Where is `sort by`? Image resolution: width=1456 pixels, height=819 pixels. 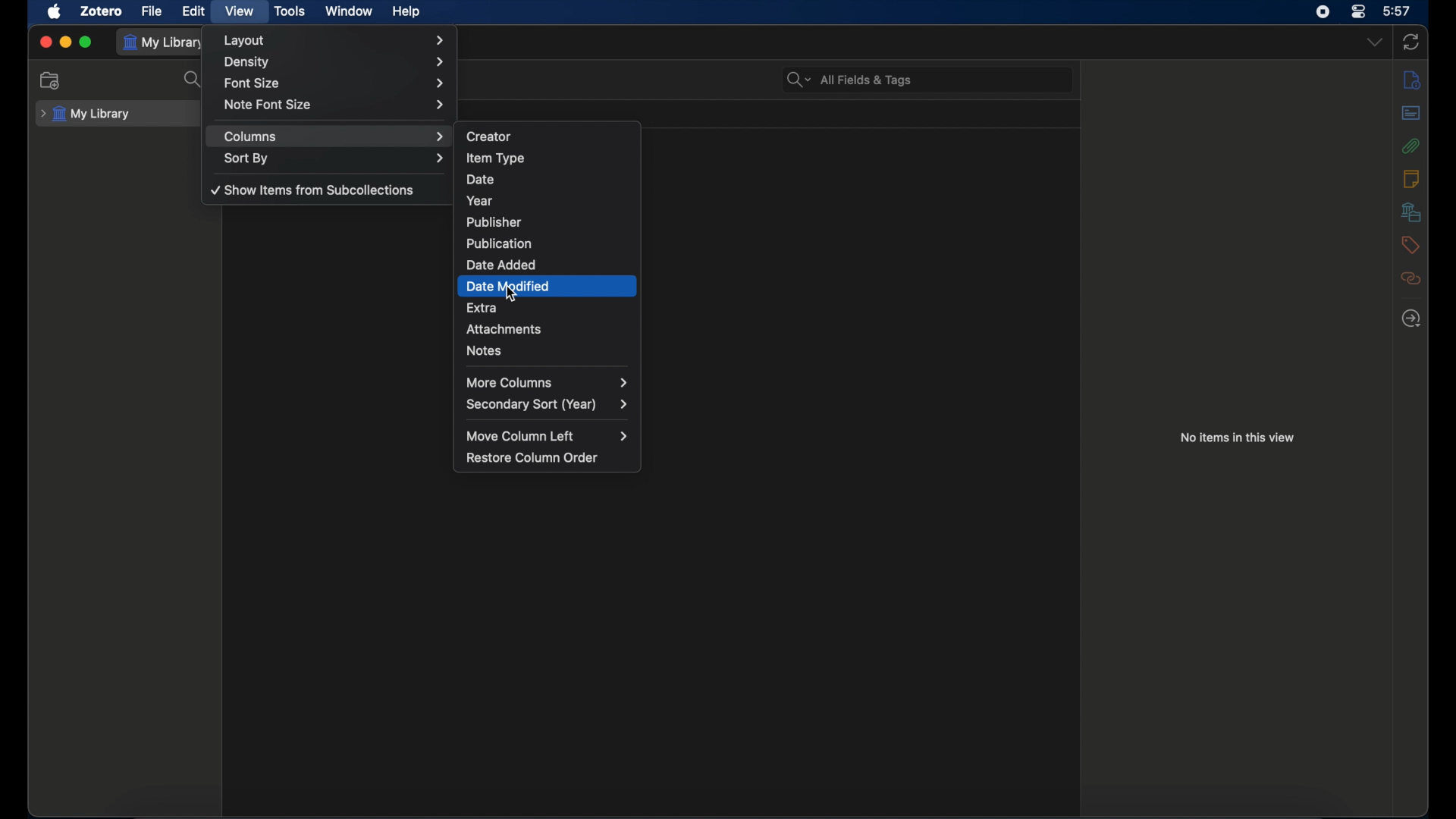 sort by is located at coordinates (334, 158).